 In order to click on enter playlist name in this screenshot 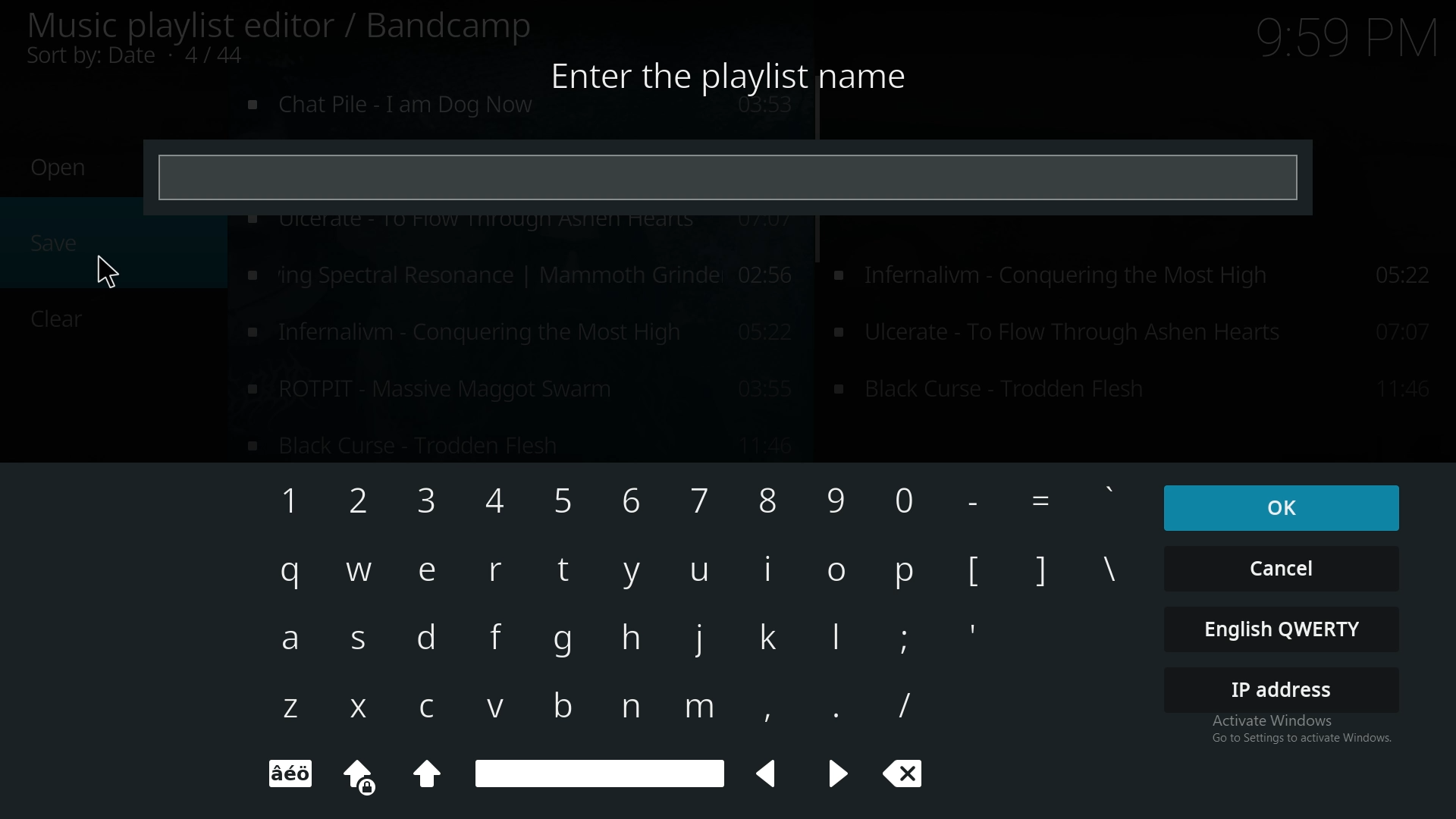, I will do `click(737, 74)`.